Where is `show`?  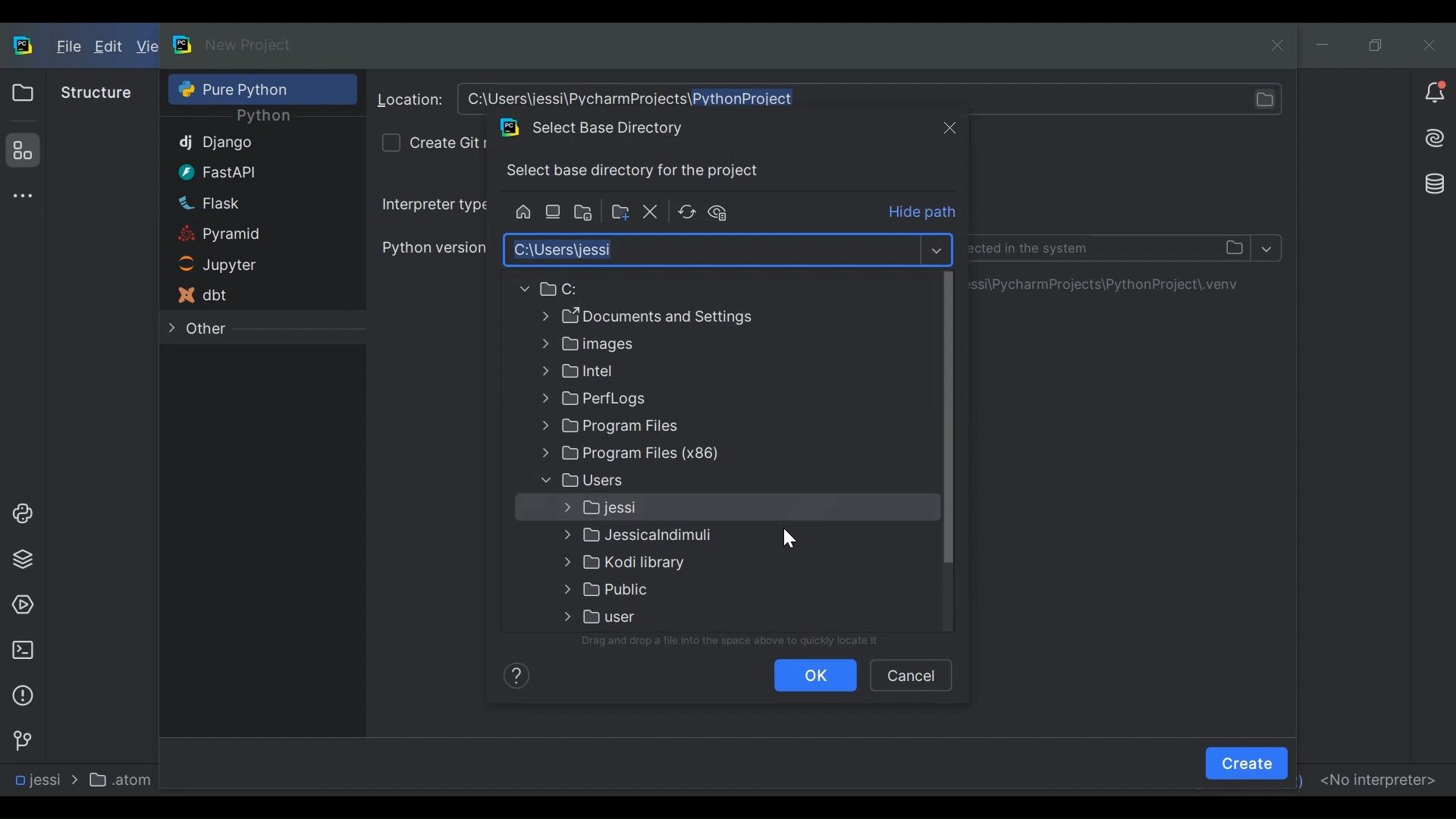
show is located at coordinates (1268, 247).